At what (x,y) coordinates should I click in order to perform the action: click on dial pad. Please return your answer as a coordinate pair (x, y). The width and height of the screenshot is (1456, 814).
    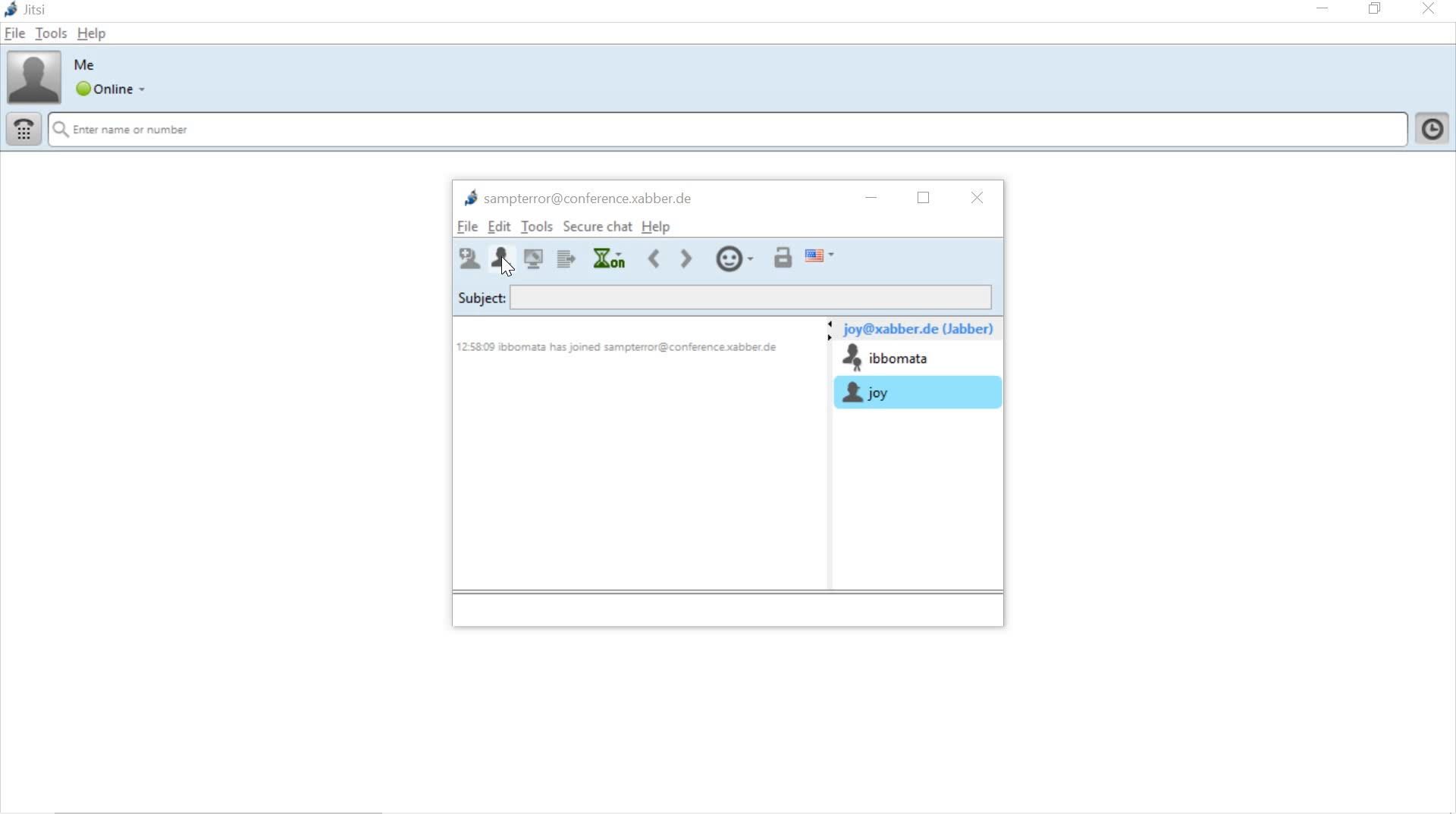
    Looking at the image, I should click on (23, 128).